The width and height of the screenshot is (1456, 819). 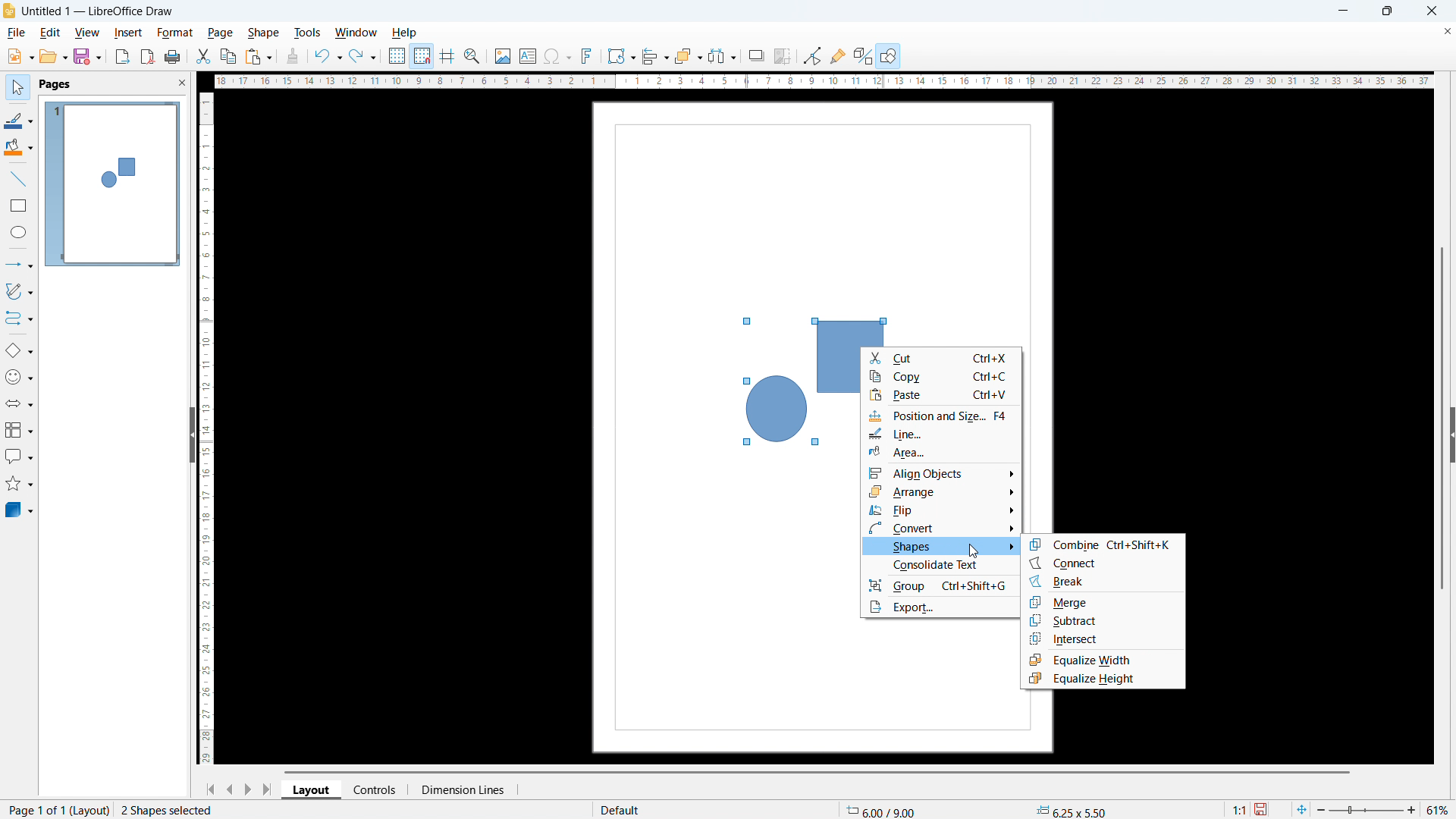 What do you see at coordinates (1389, 11) in the screenshot?
I see `maximize` at bounding box center [1389, 11].